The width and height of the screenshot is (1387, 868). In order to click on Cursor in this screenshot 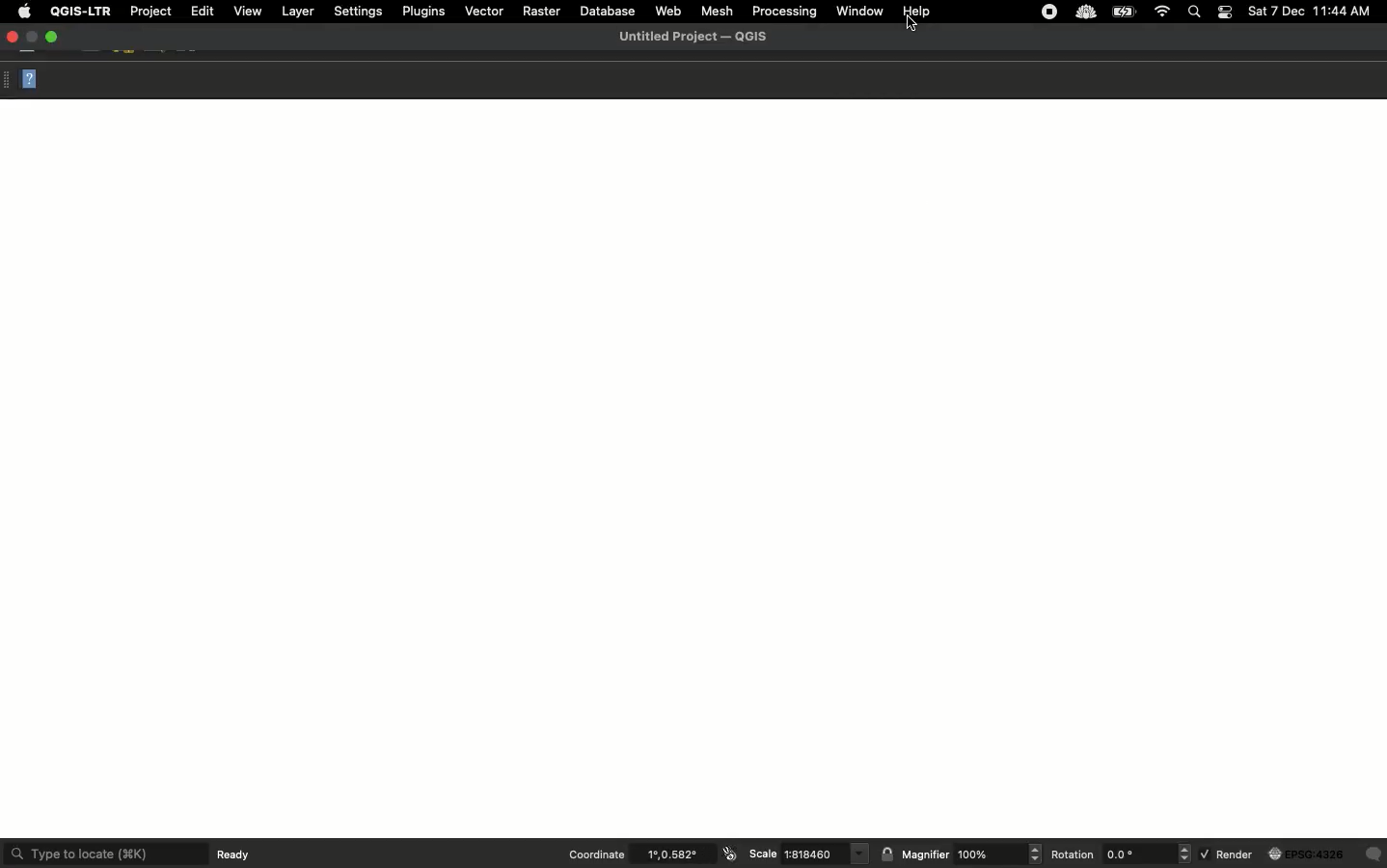, I will do `click(917, 26)`.